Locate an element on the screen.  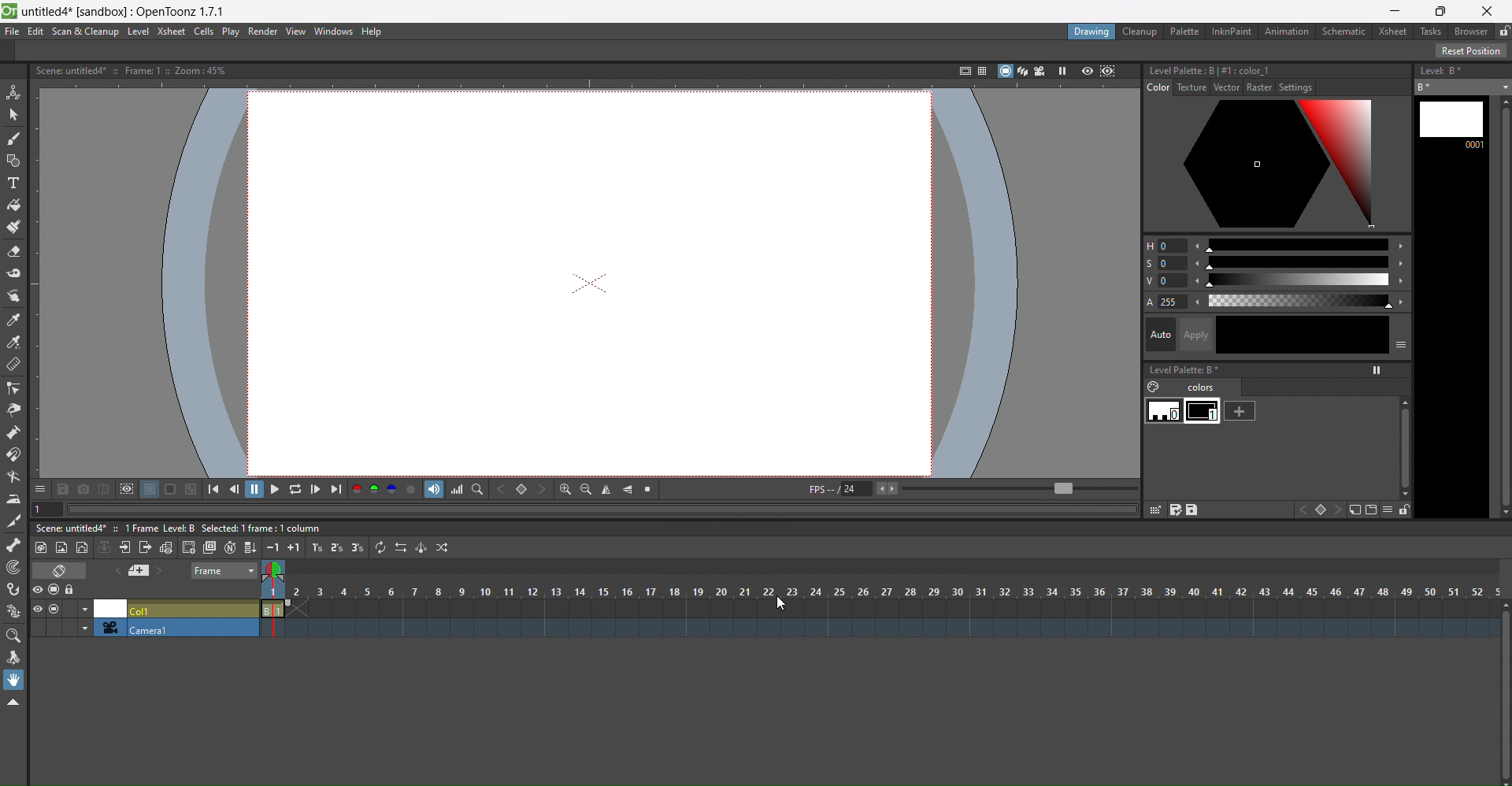
column number is located at coordinates (882, 593).